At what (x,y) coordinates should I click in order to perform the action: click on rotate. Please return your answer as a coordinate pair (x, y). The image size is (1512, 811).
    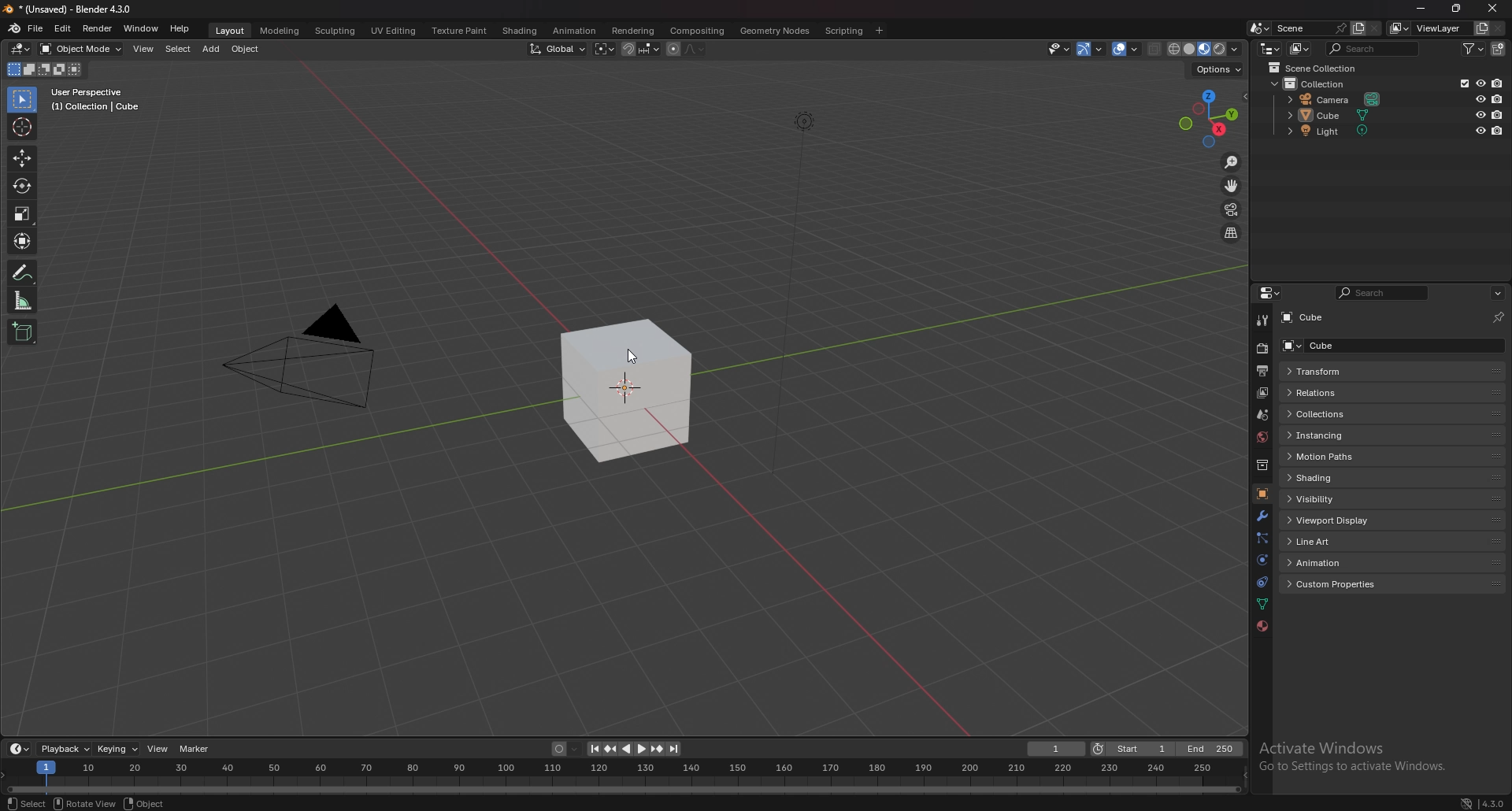
    Looking at the image, I should click on (23, 185).